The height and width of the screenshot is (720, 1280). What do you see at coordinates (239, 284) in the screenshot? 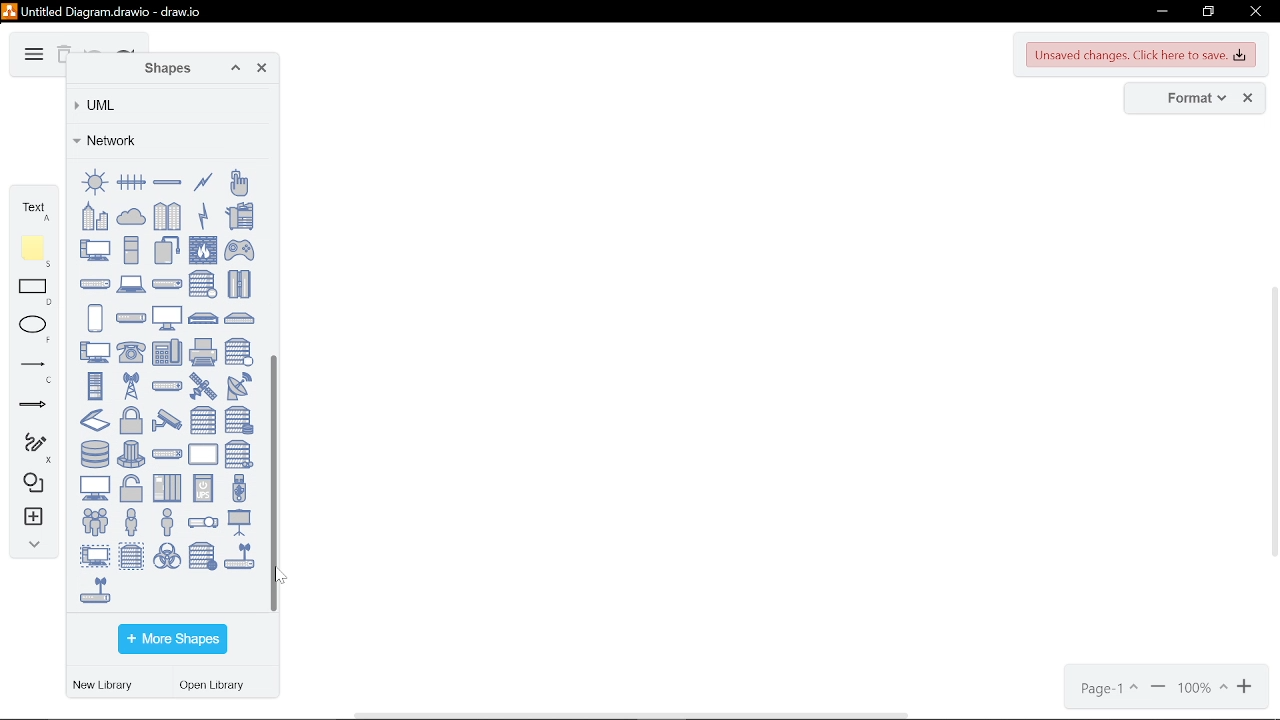
I see `mainframe` at bounding box center [239, 284].